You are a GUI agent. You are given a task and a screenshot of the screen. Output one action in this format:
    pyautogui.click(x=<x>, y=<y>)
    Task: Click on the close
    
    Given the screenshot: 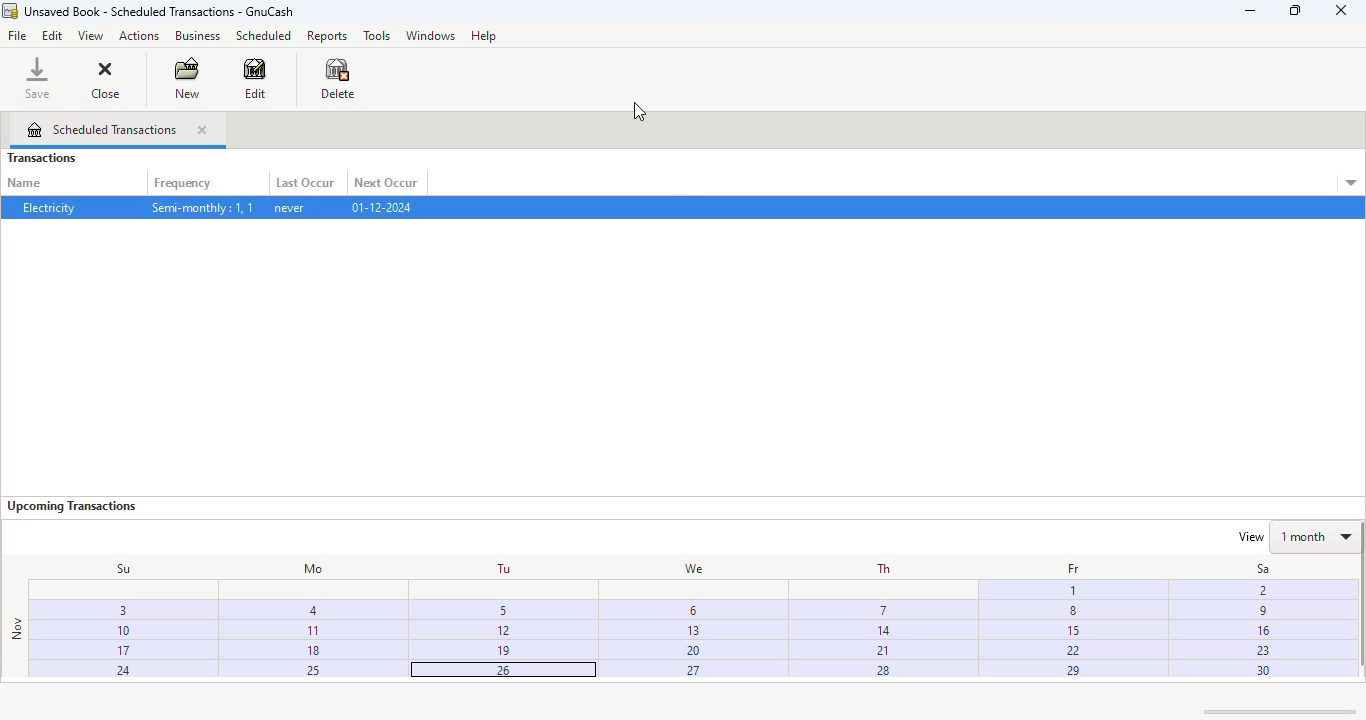 What is the action you would take?
    pyautogui.click(x=202, y=130)
    